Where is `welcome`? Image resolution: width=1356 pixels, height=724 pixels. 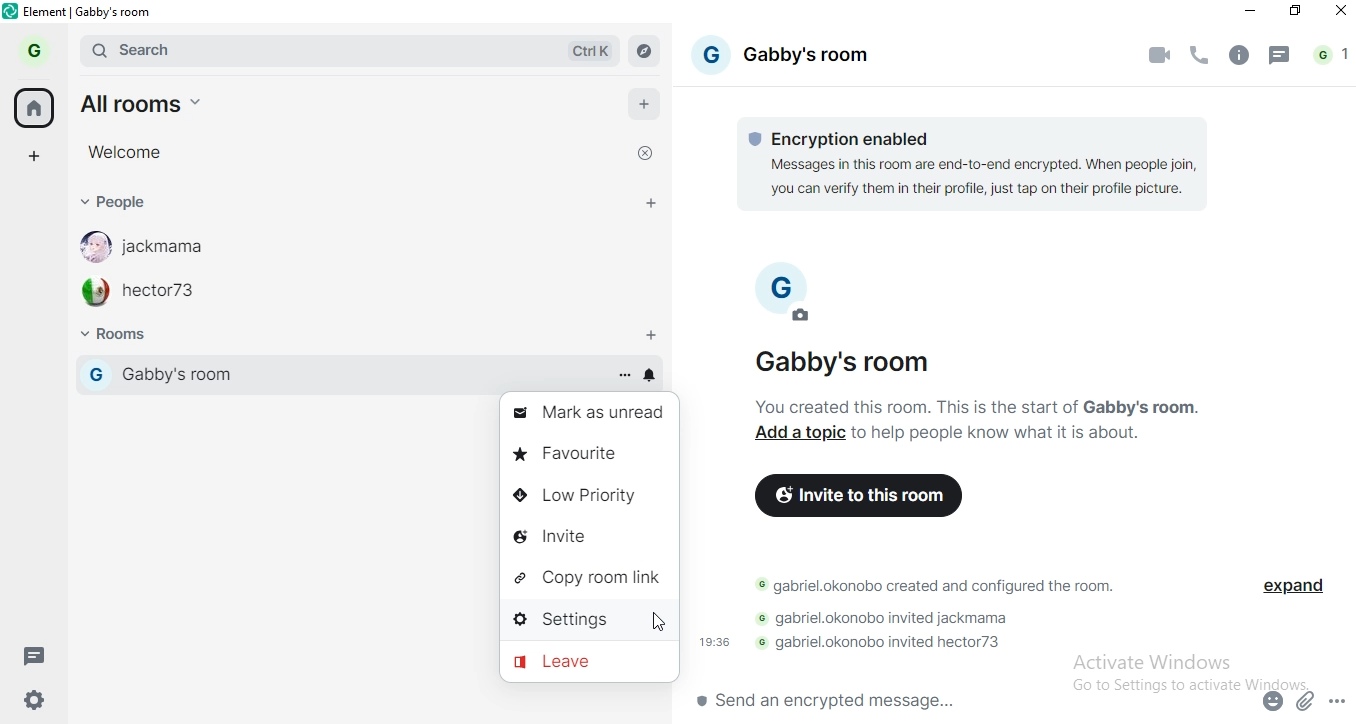
welcome is located at coordinates (127, 151).